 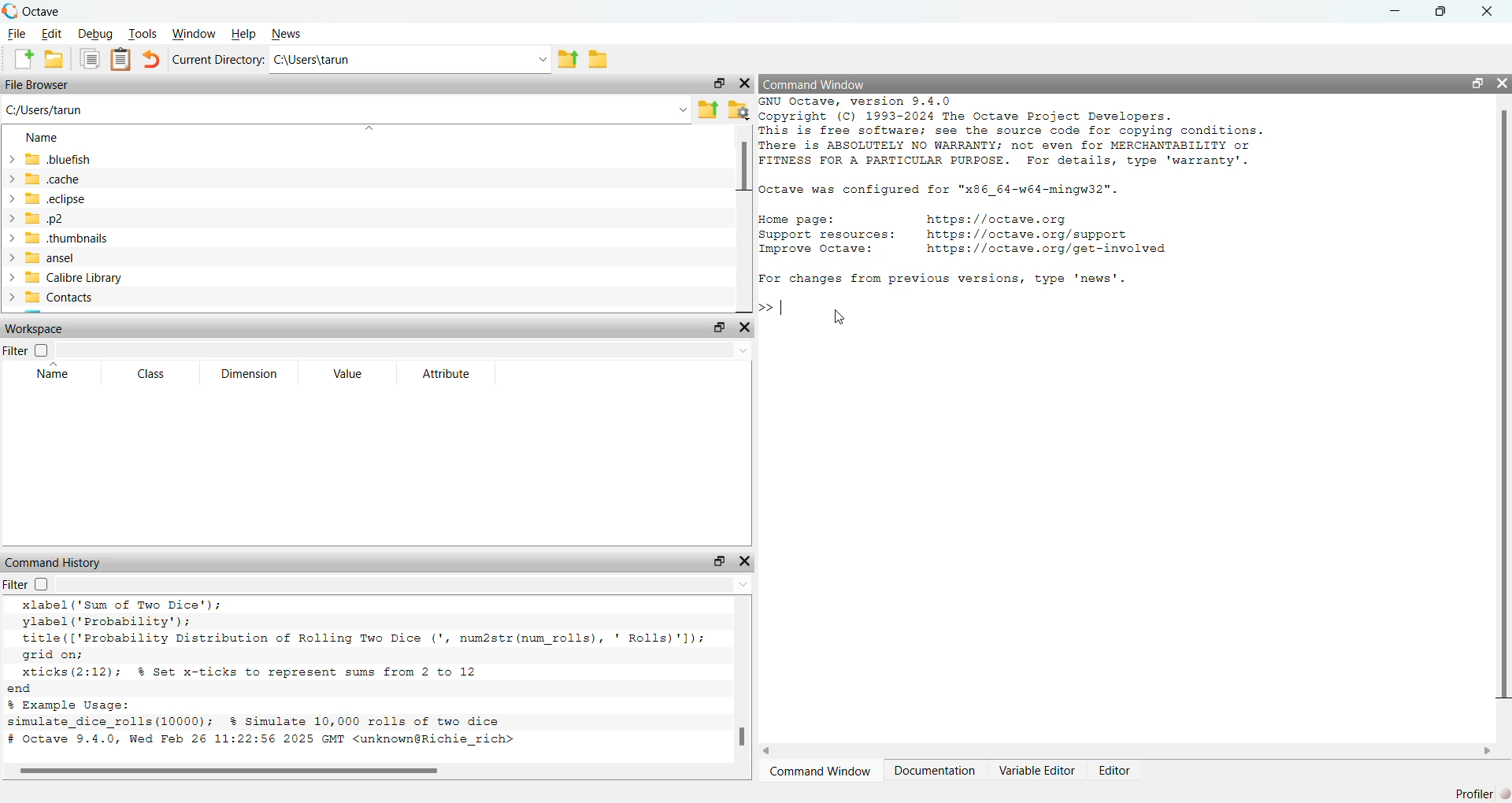 What do you see at coordinates (565, 60) in the screenshot?
I see `File up` at bounding box center [565, 60].